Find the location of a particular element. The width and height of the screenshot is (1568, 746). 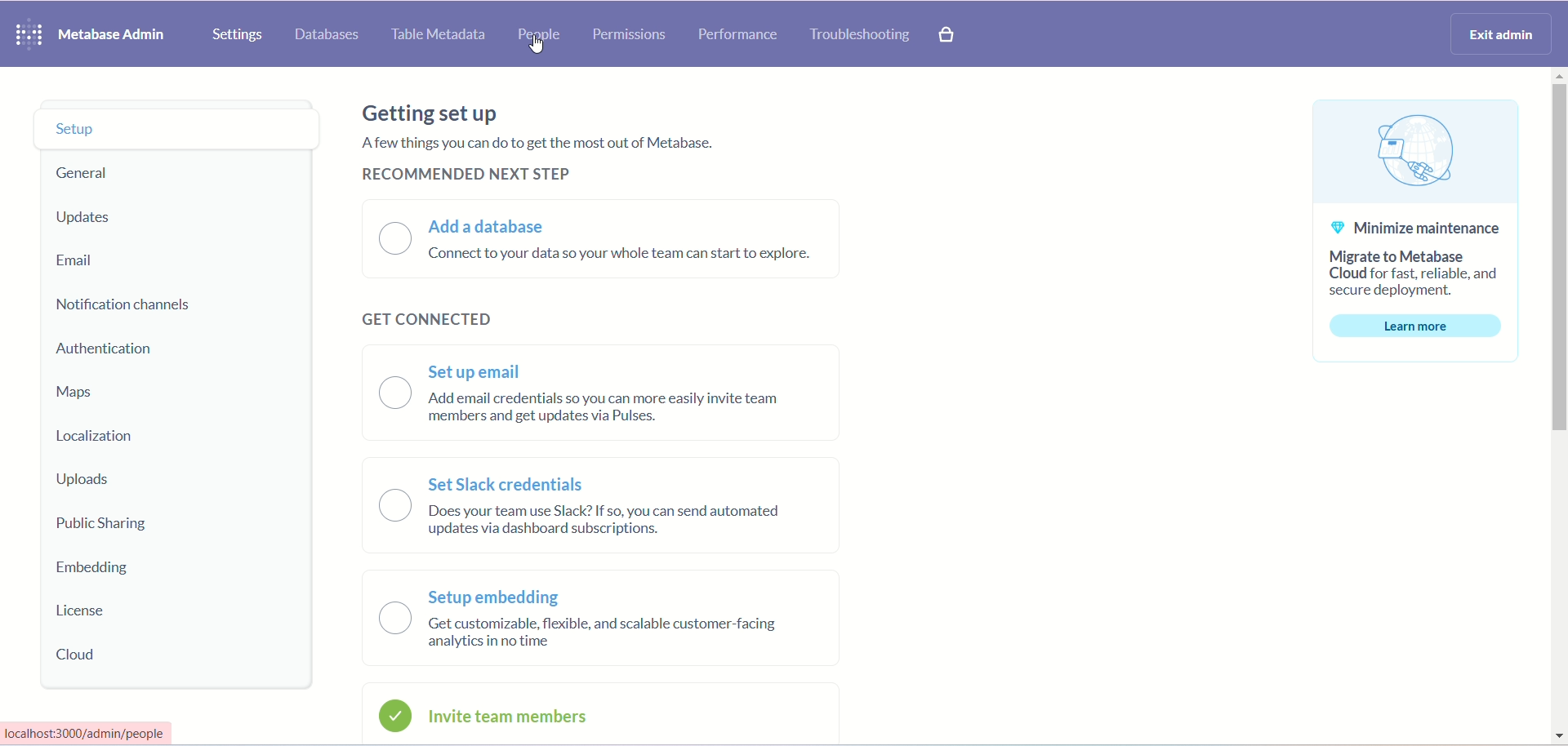

setup is located at coordinates (175, 125).